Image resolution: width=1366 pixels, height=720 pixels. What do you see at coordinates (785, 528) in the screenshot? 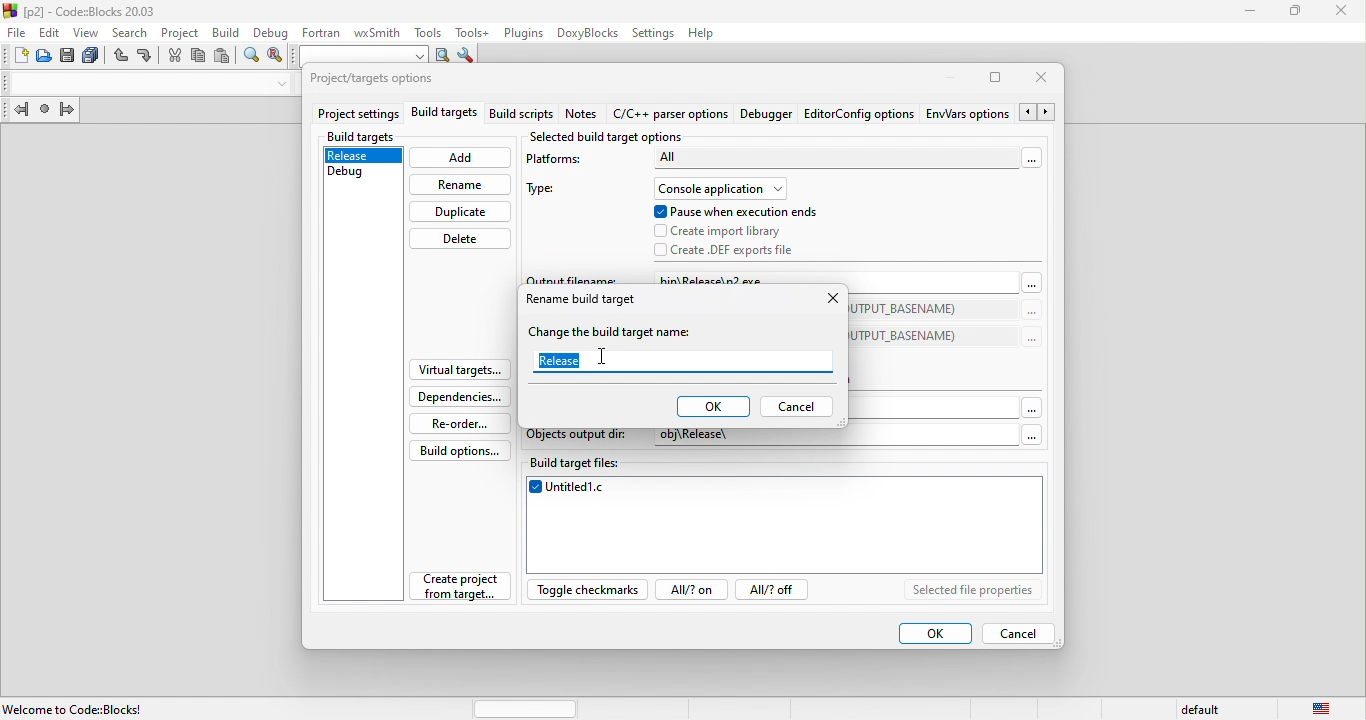
I see `untitled` at bounding box center [785, 528].